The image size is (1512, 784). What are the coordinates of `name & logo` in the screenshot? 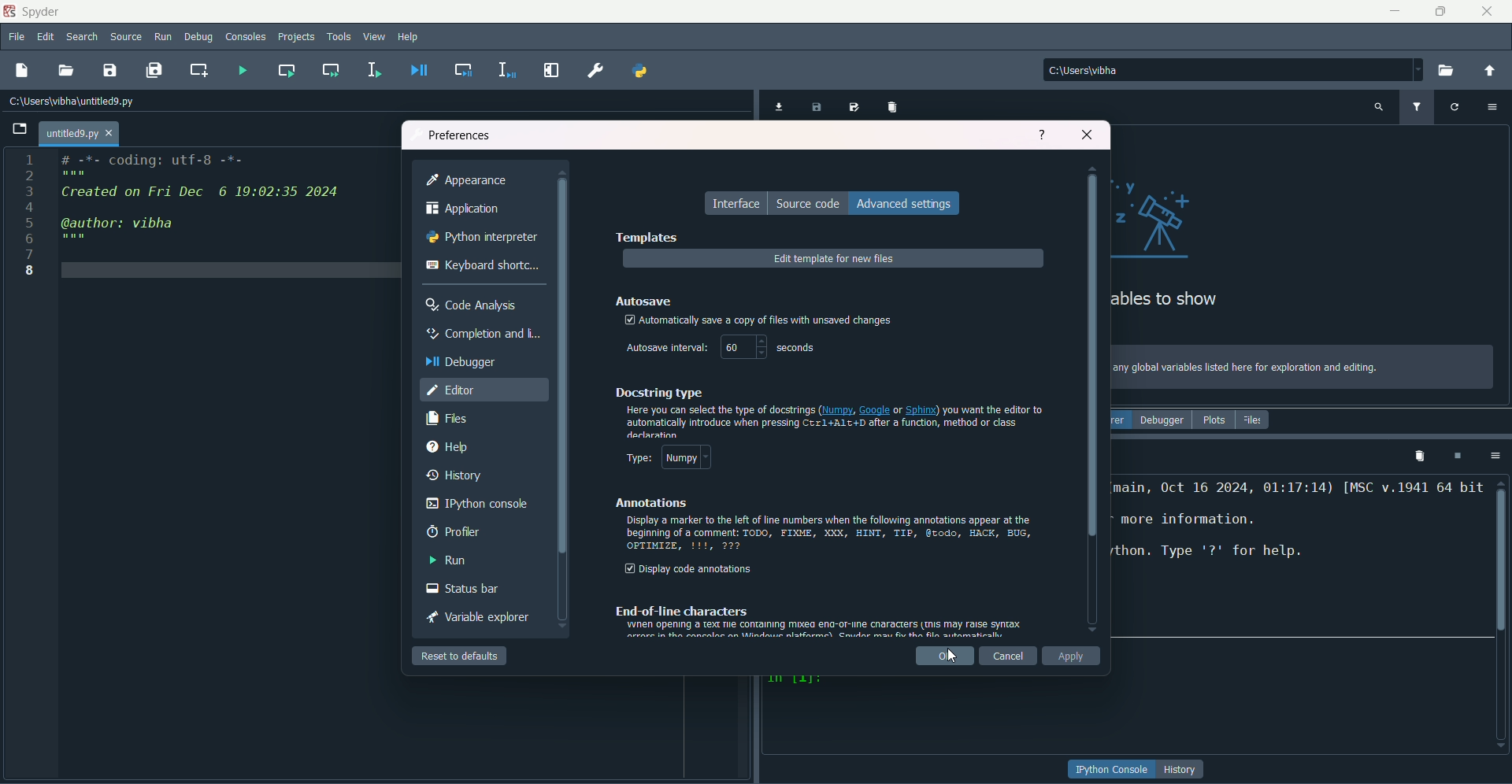 It's located at (33, 11).